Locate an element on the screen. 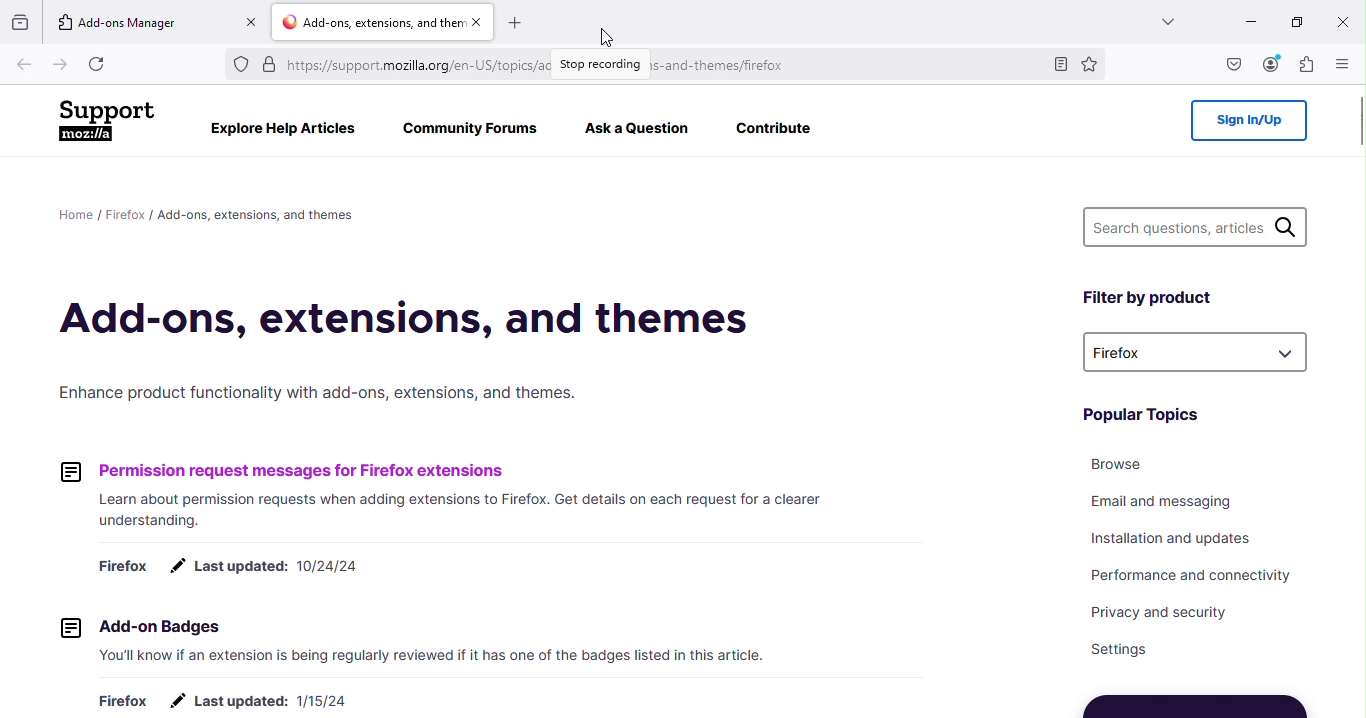 Image resolution: width=1366 pixels, height=718 pixels. You'll know if an extension is being regularly reviewed if it has one of the badges listed in this article. is located at coordinates (430, 658).